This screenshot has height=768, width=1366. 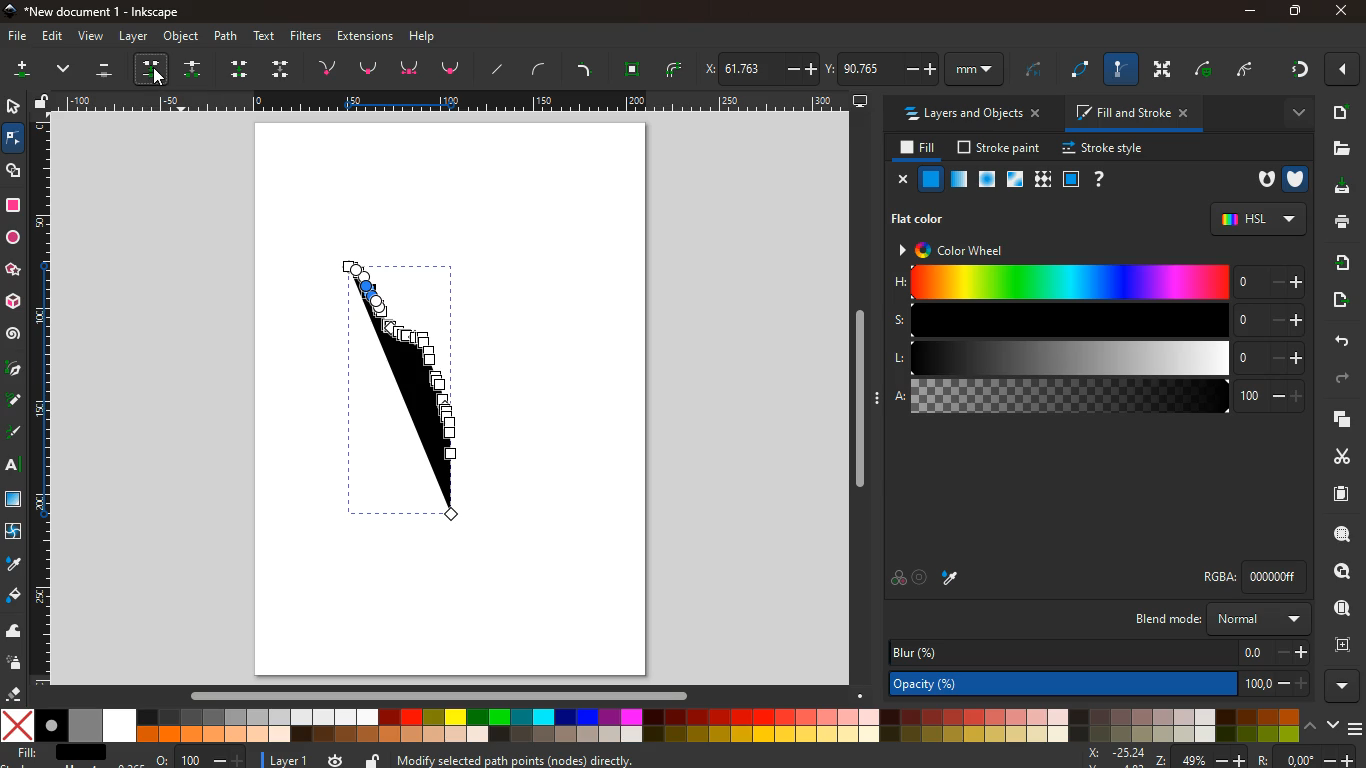 I want to click on file, so click(x=16, y=37).